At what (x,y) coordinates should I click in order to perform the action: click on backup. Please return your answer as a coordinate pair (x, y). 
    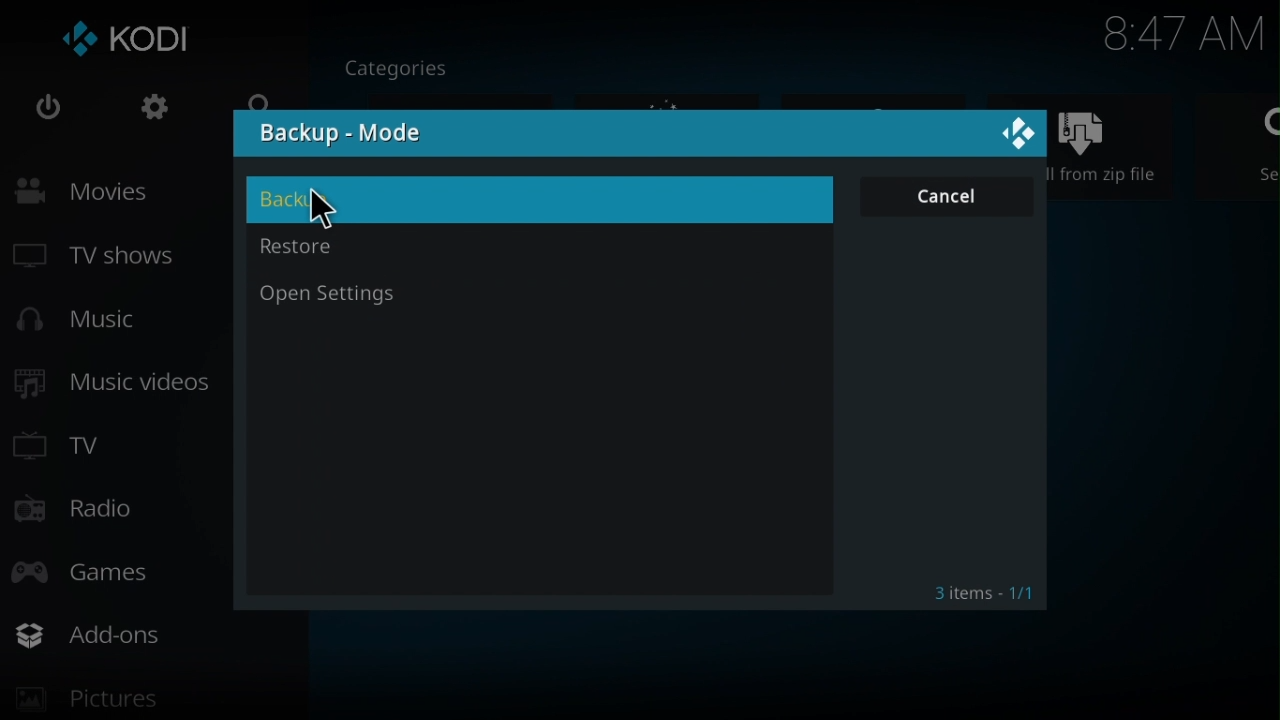
    Looking at the image, I should click on (535, 199).